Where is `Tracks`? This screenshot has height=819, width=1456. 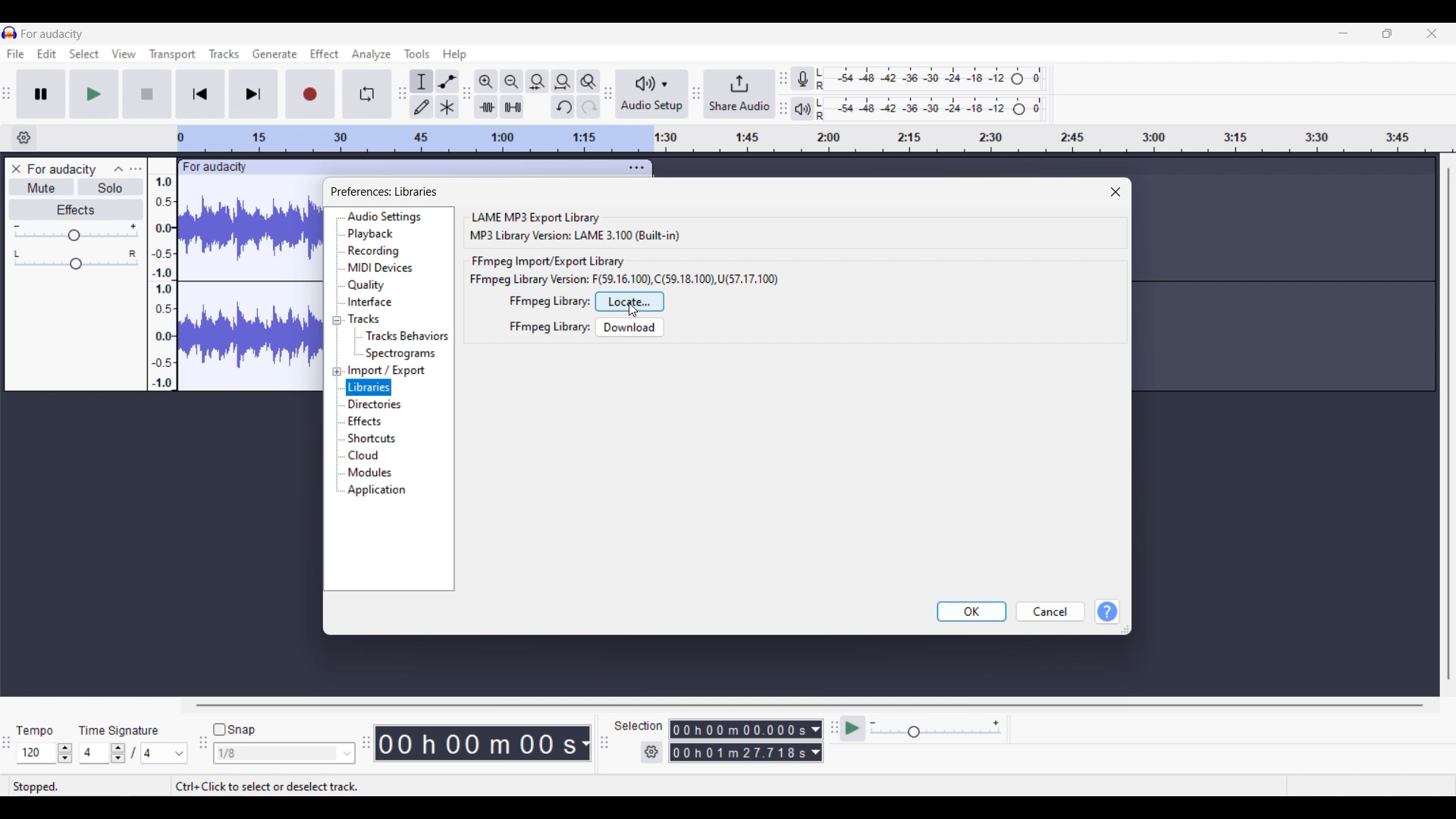 Tracks is located at coordinates (363, 318).